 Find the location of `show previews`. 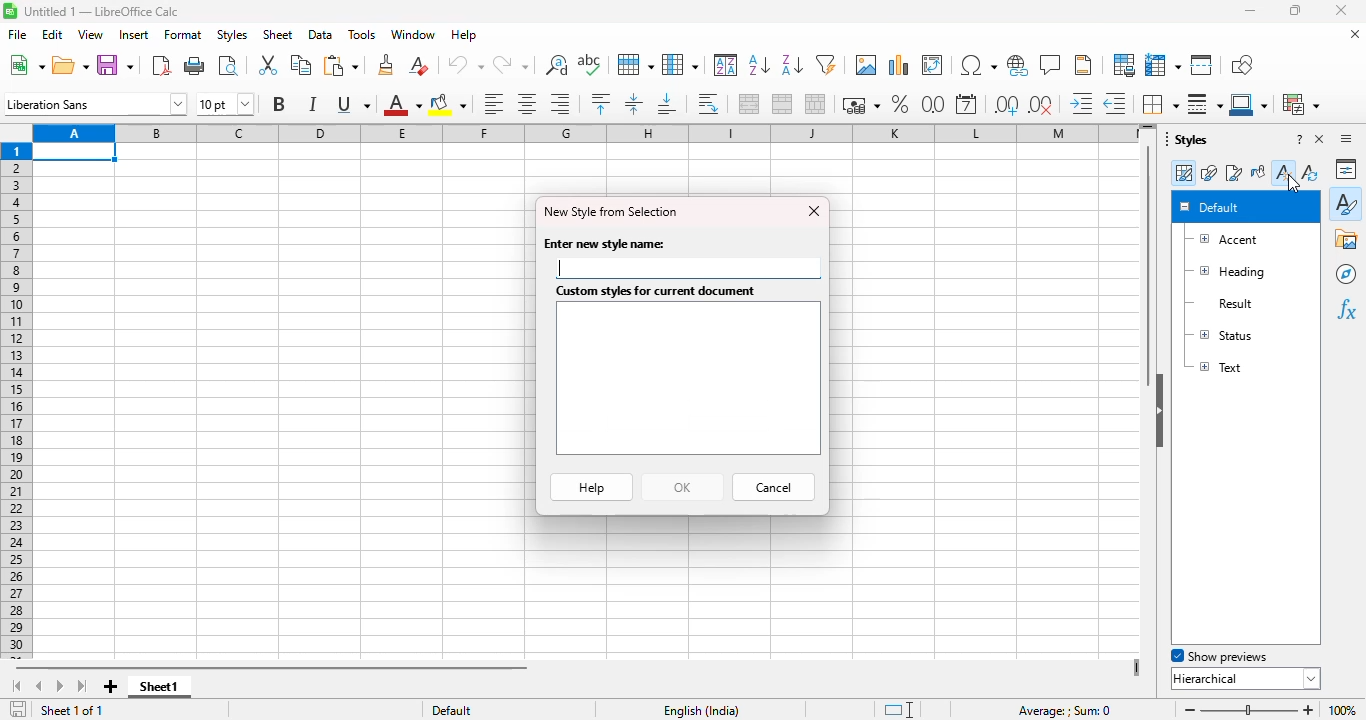

show previews is located at coordinates (1220, 656).